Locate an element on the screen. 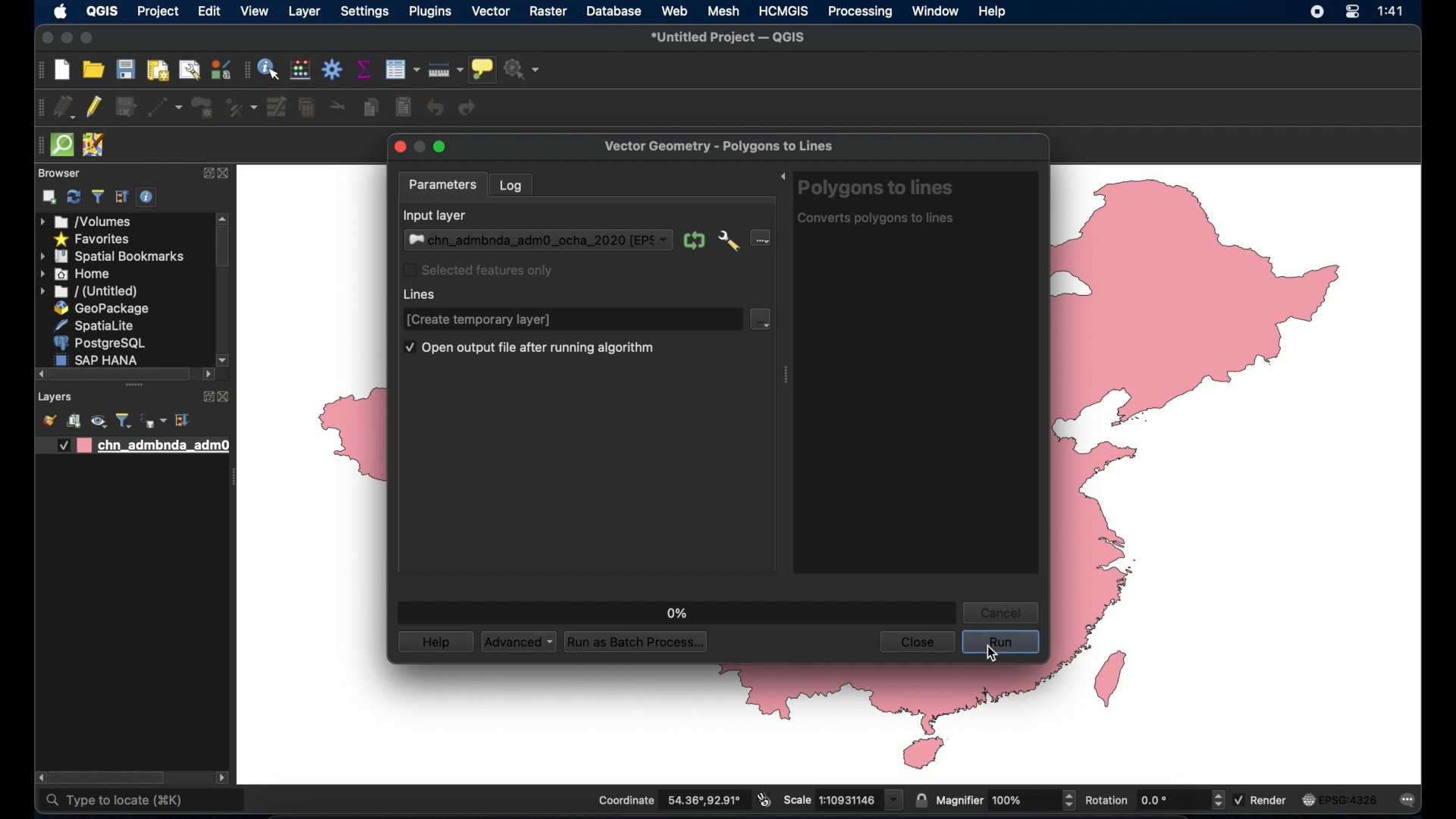  drag handle is located at coordinates (36, 144).